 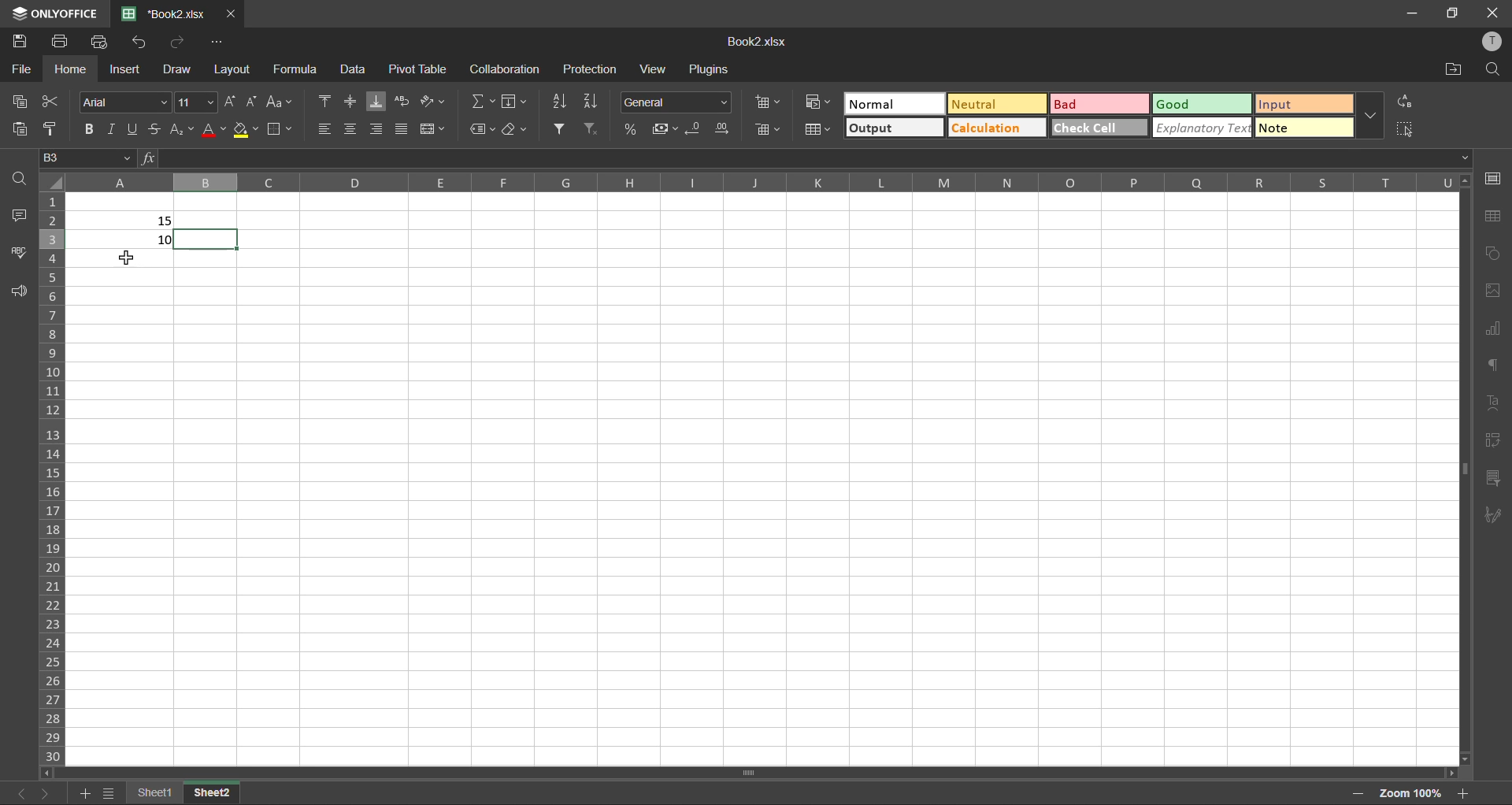 I want to click on protection, so click(x=593, y=69).